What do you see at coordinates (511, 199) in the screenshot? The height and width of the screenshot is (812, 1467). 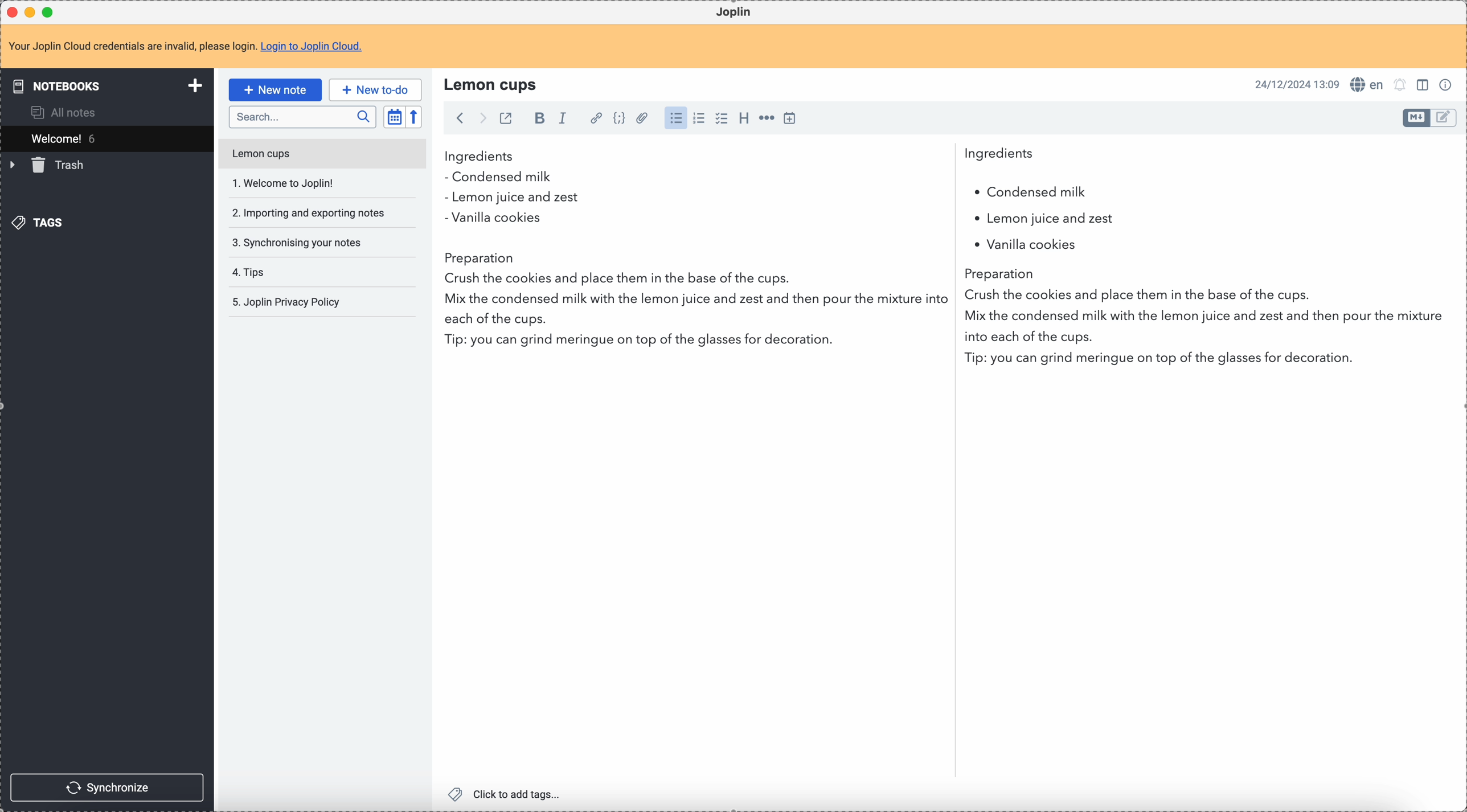 I see `lemon juice and zest` at bounding box center [511, 199].